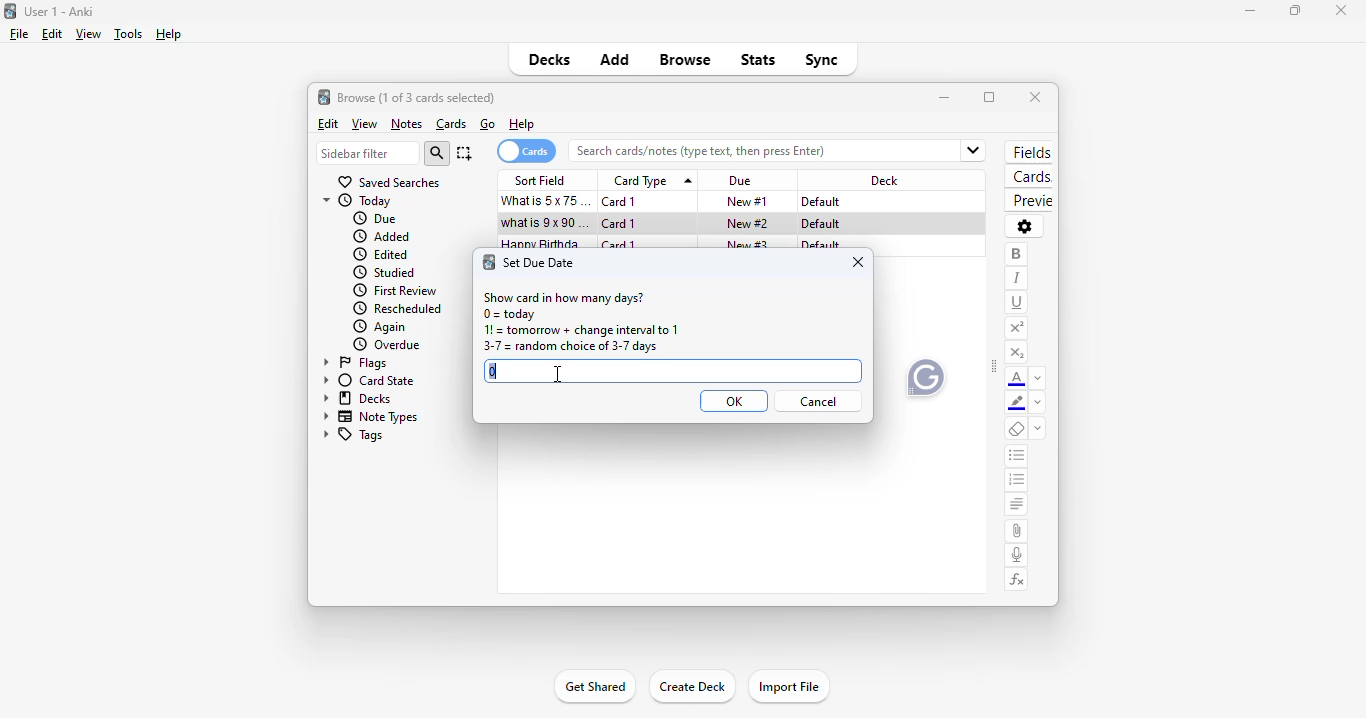 This screenshot has height=718, width=1366. Describe the element at coordinates (1019, 378) in the screenshot. I see `text color` at that location.